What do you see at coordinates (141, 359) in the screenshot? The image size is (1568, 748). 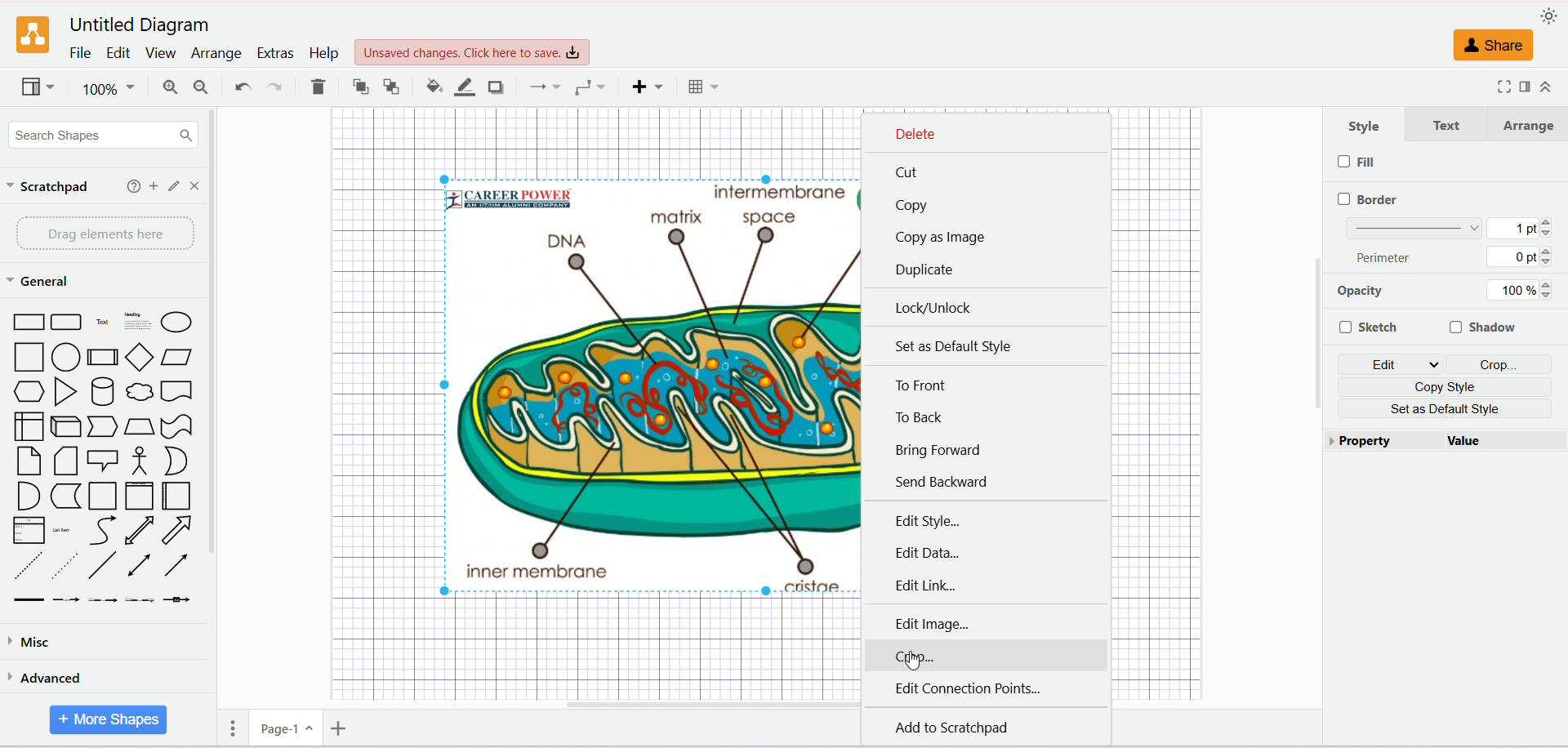 I see `Diamond` at bounding box center [141, 359].